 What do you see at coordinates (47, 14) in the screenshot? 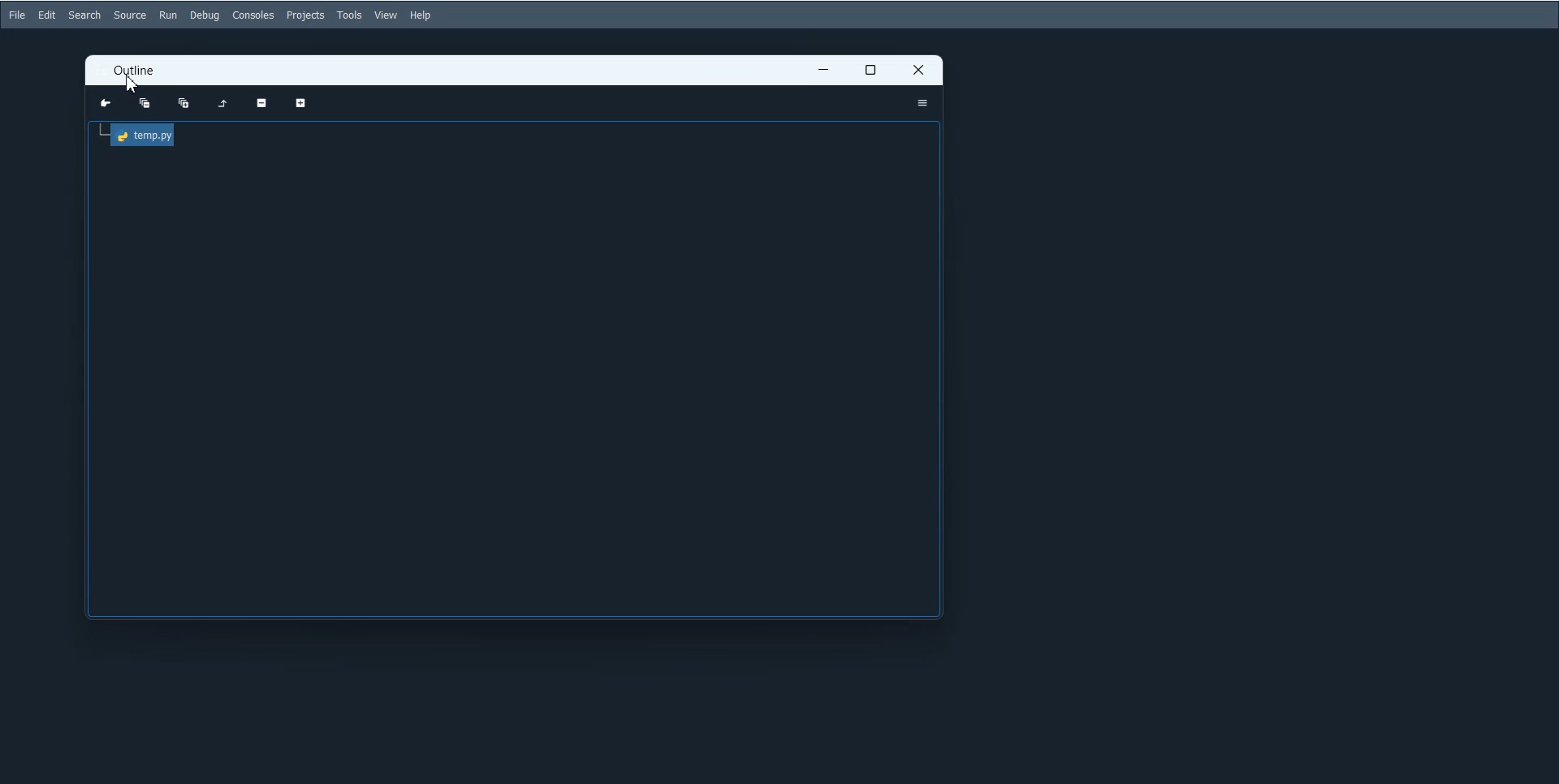
I see `Edit` at bounding box center [47, 14].